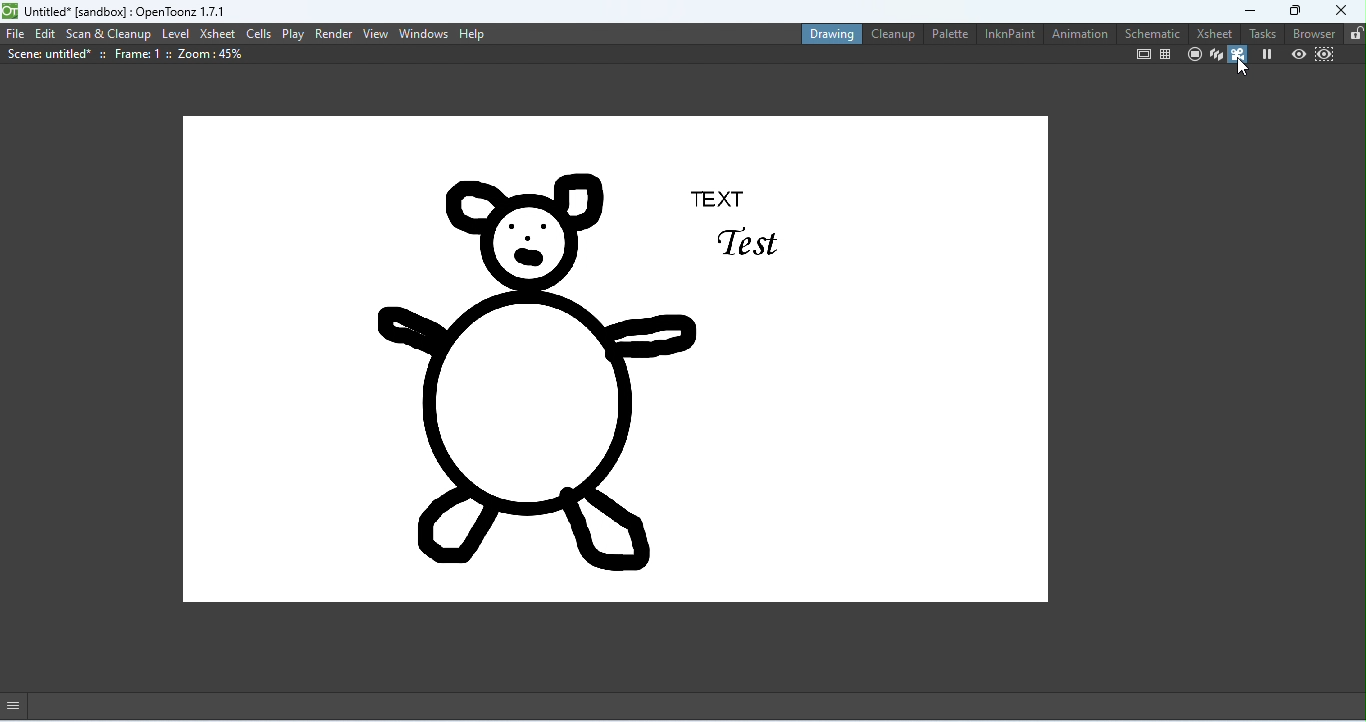  Describe the element at coordinates (1334, 10) in the screenshot. I see `Close` at that location.